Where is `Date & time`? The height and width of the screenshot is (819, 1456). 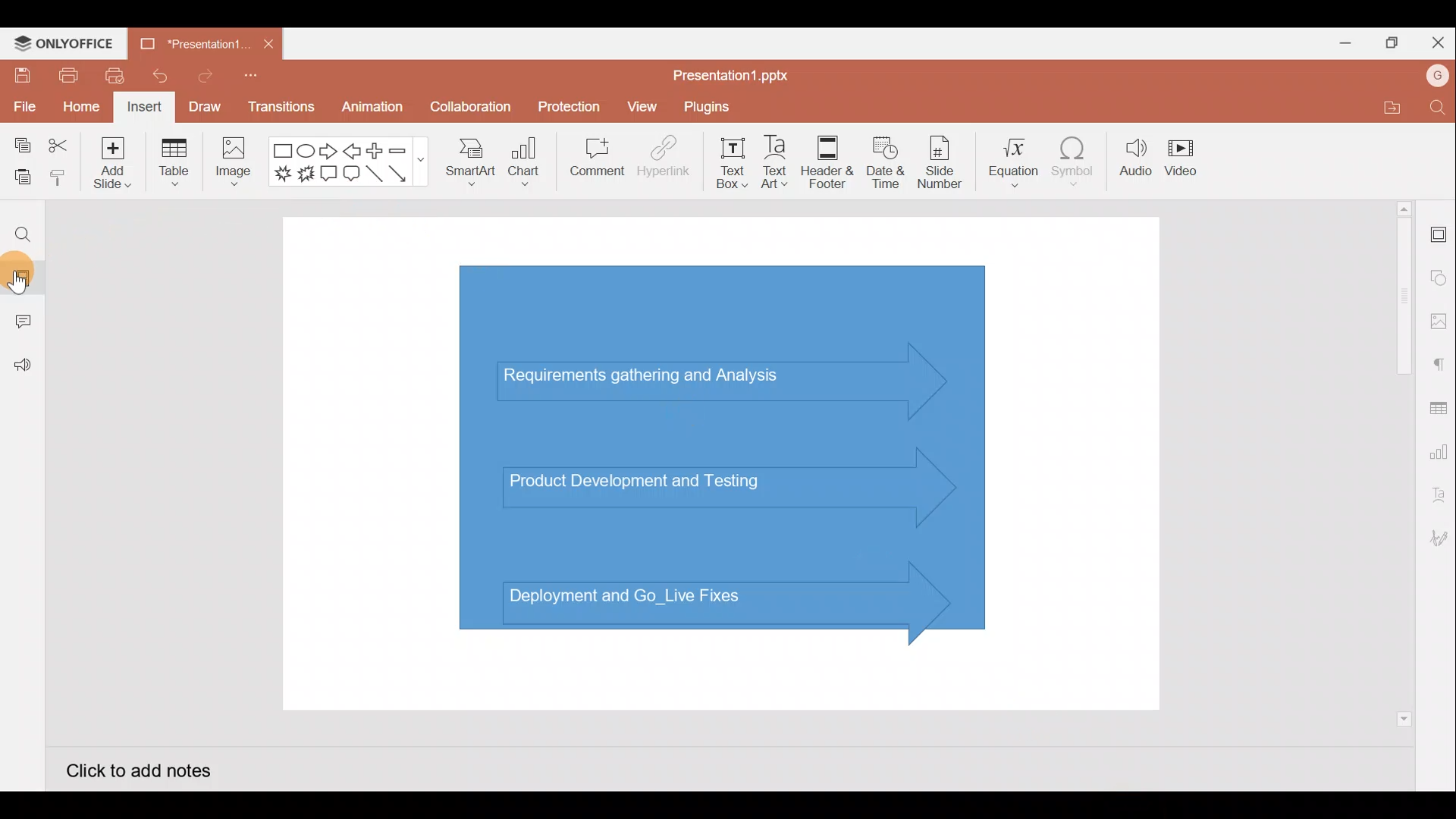 Date & time is located at coordinates (889, 162).